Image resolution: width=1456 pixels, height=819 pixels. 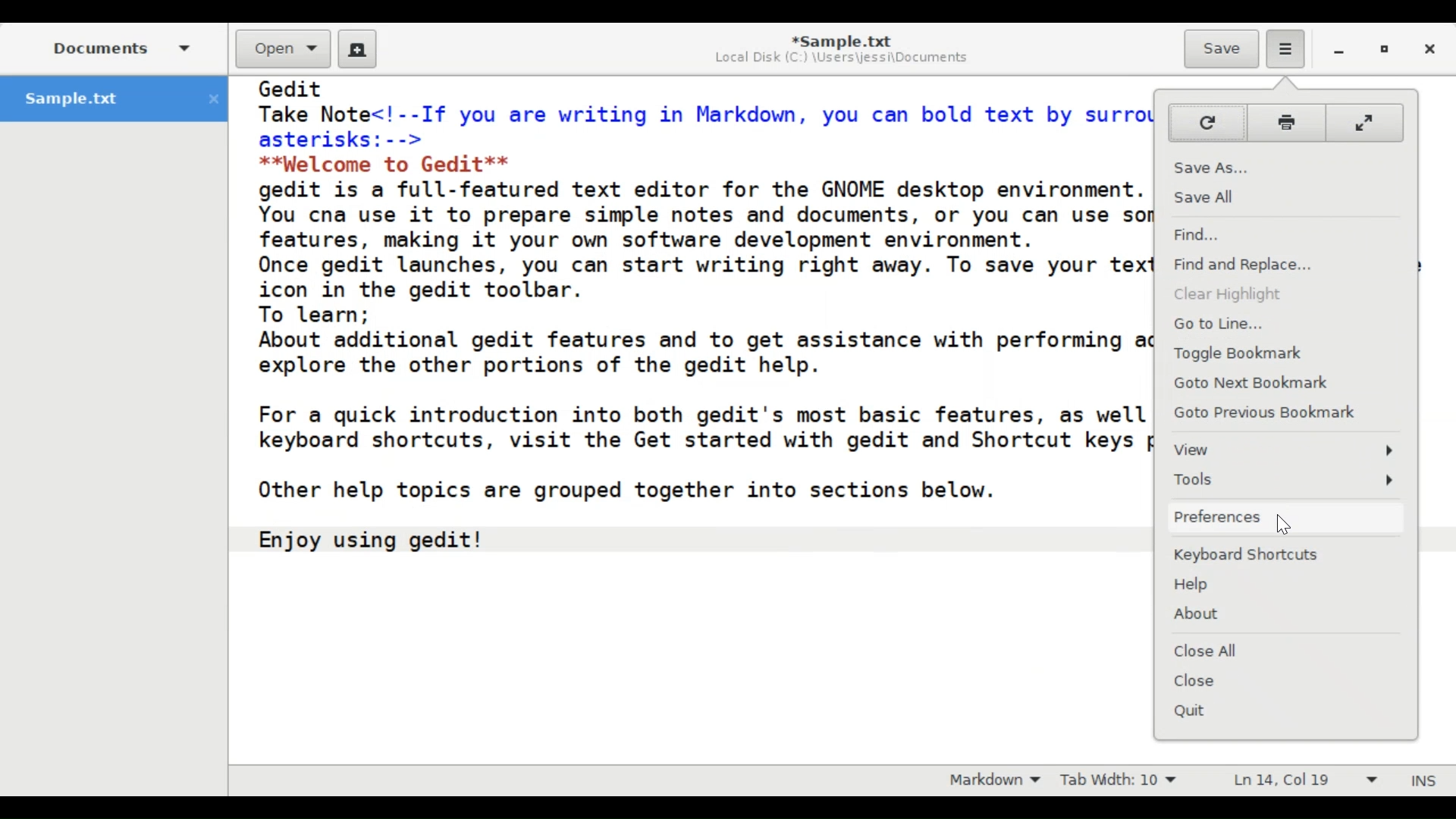 I want to click on Tools, so click(x=1285, y=480).